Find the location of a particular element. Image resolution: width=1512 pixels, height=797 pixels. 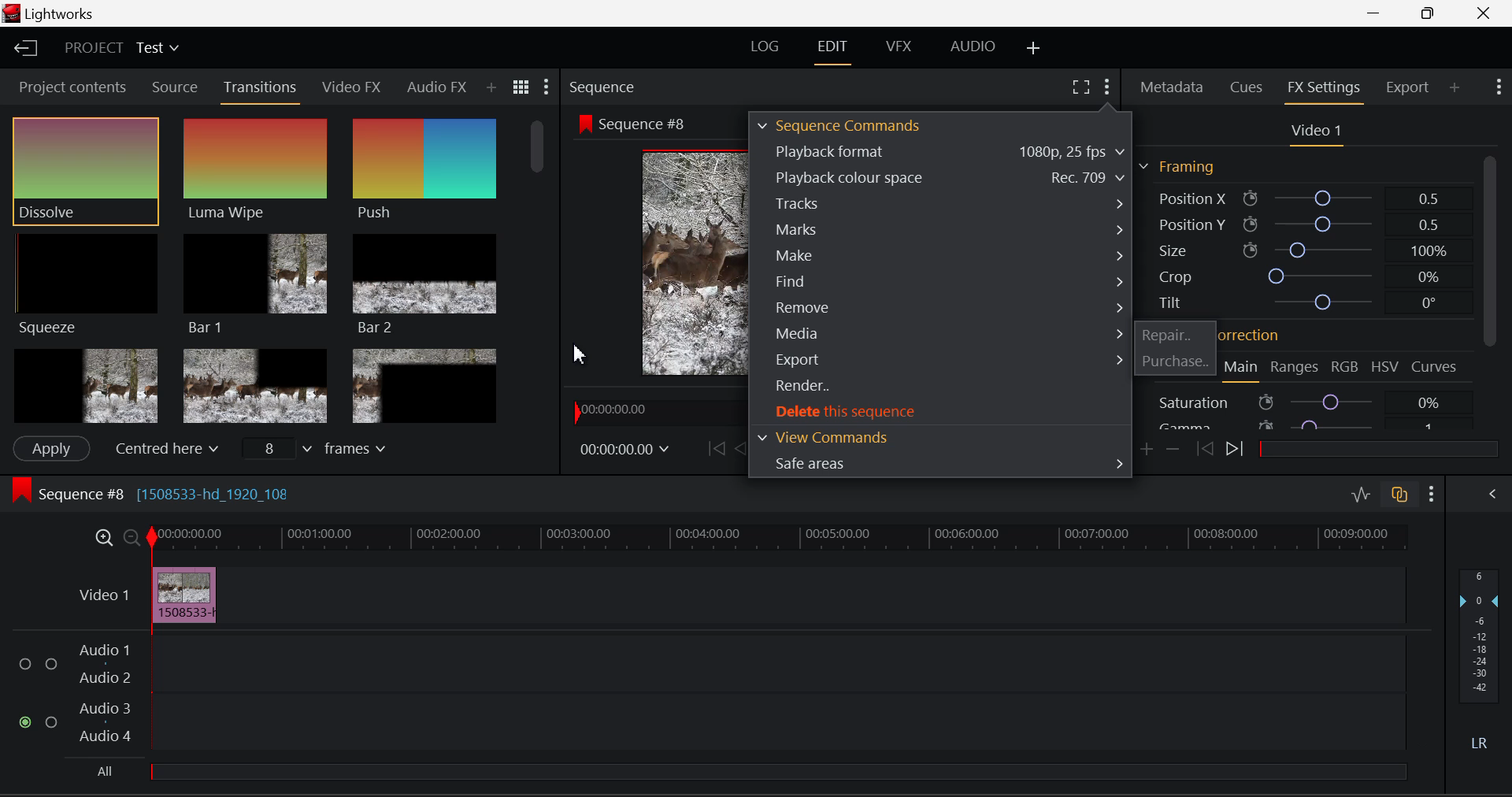

Make is located at coordinates (940, 256).